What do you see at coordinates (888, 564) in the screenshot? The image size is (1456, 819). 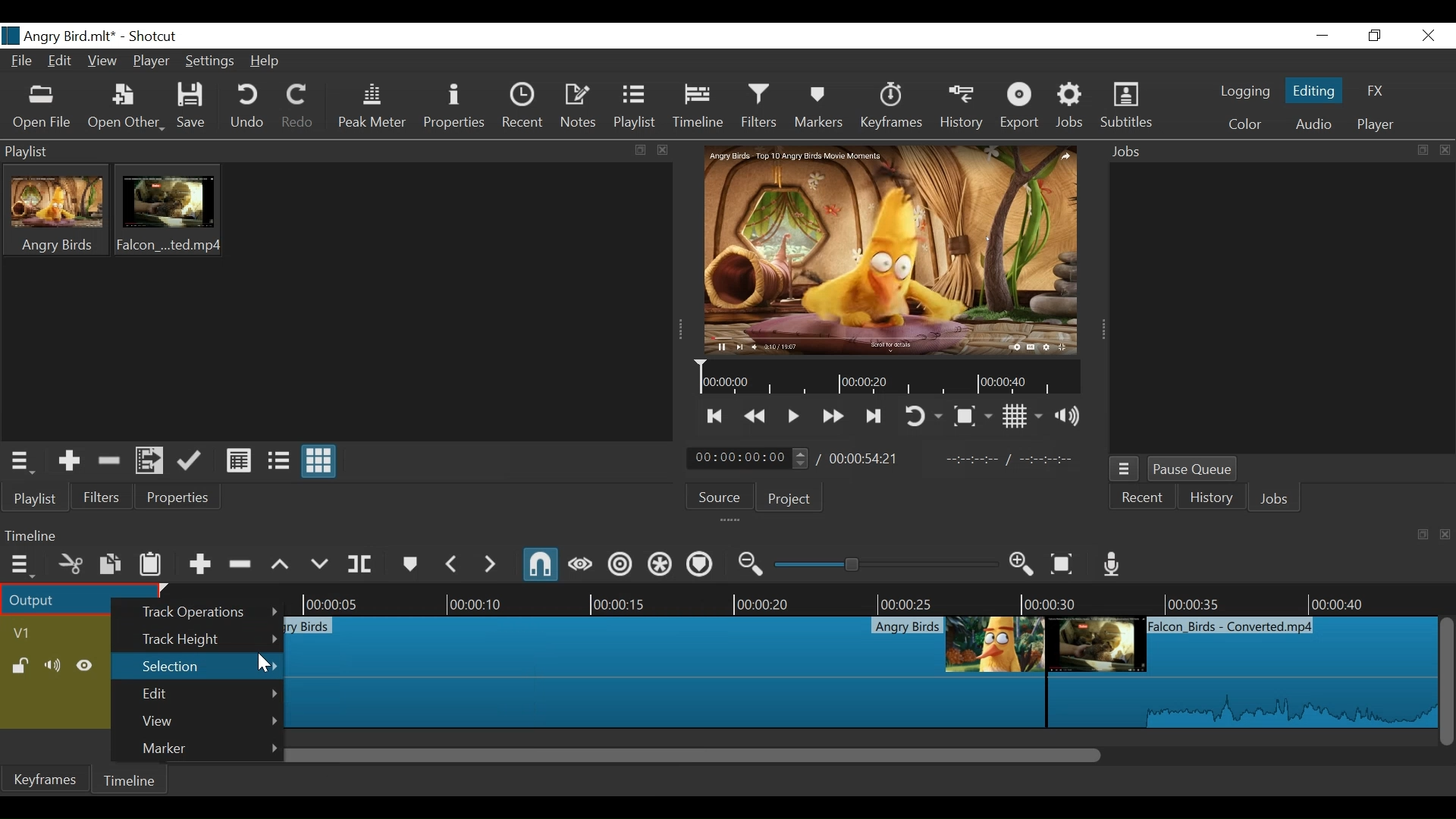 I see `Zoom Slider` at bounding box center [888, 564].